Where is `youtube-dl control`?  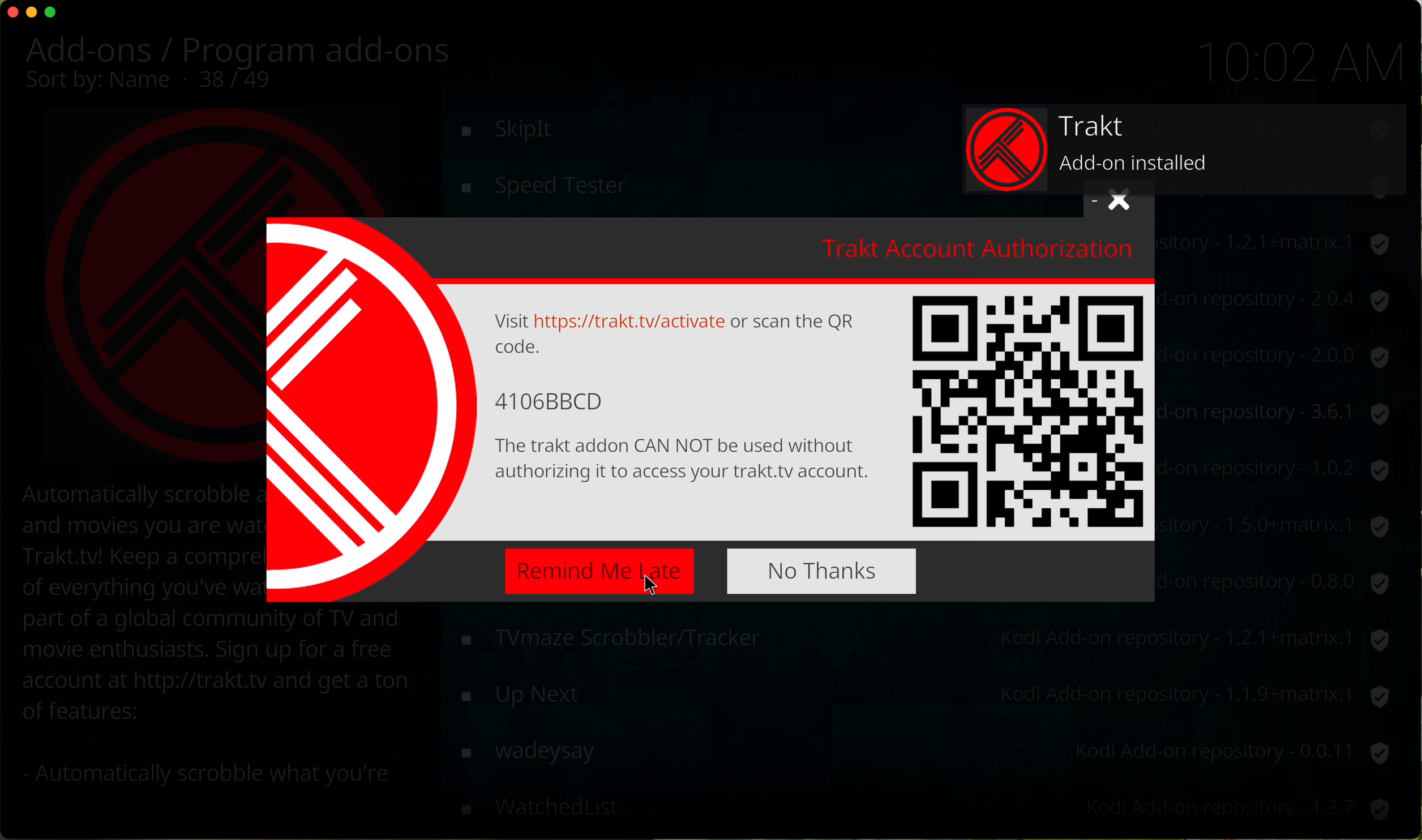 youtube-dl control is located at coordinates (922, 808).